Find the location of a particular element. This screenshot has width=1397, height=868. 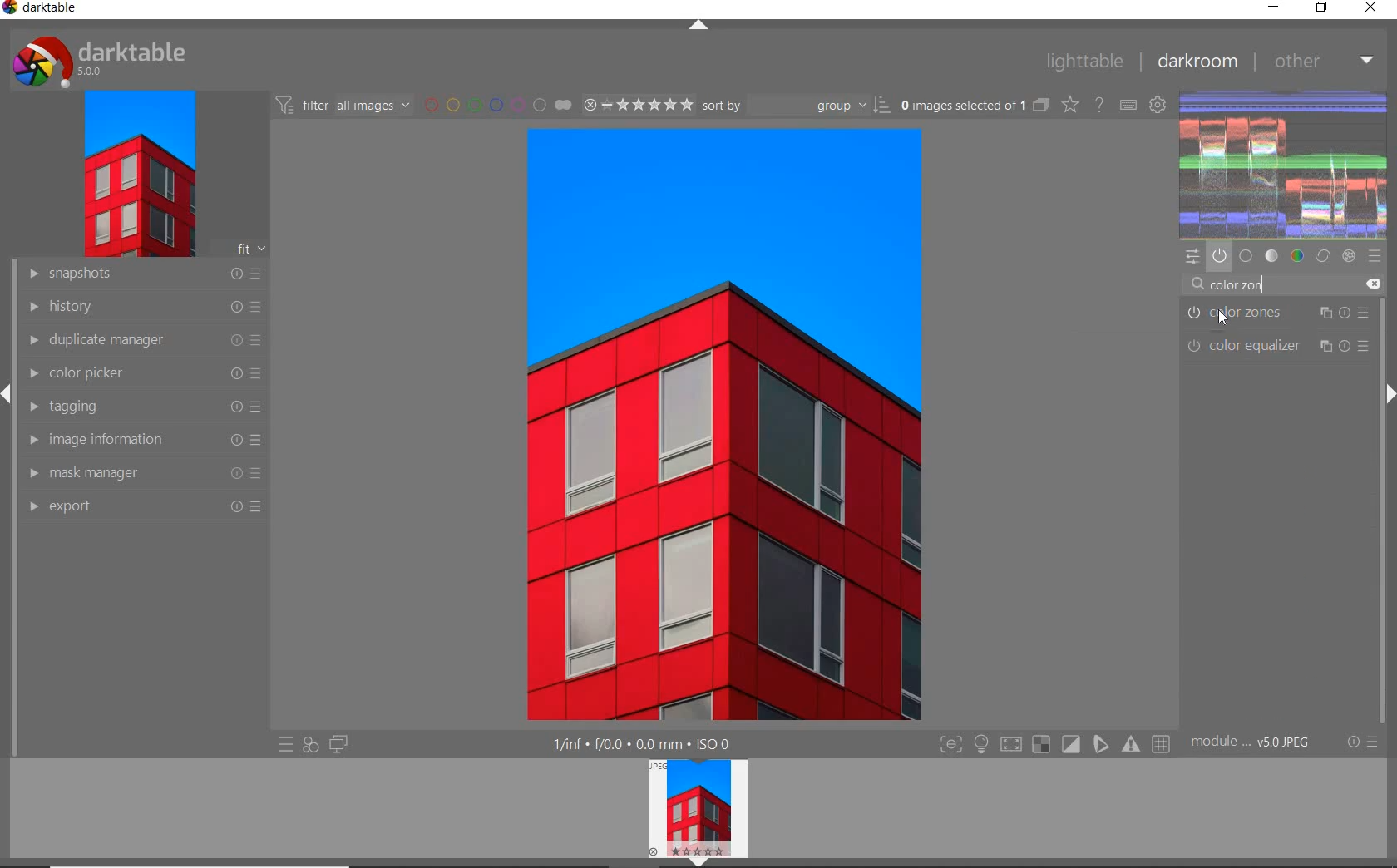

presets is located at coordinates (1375, 254).